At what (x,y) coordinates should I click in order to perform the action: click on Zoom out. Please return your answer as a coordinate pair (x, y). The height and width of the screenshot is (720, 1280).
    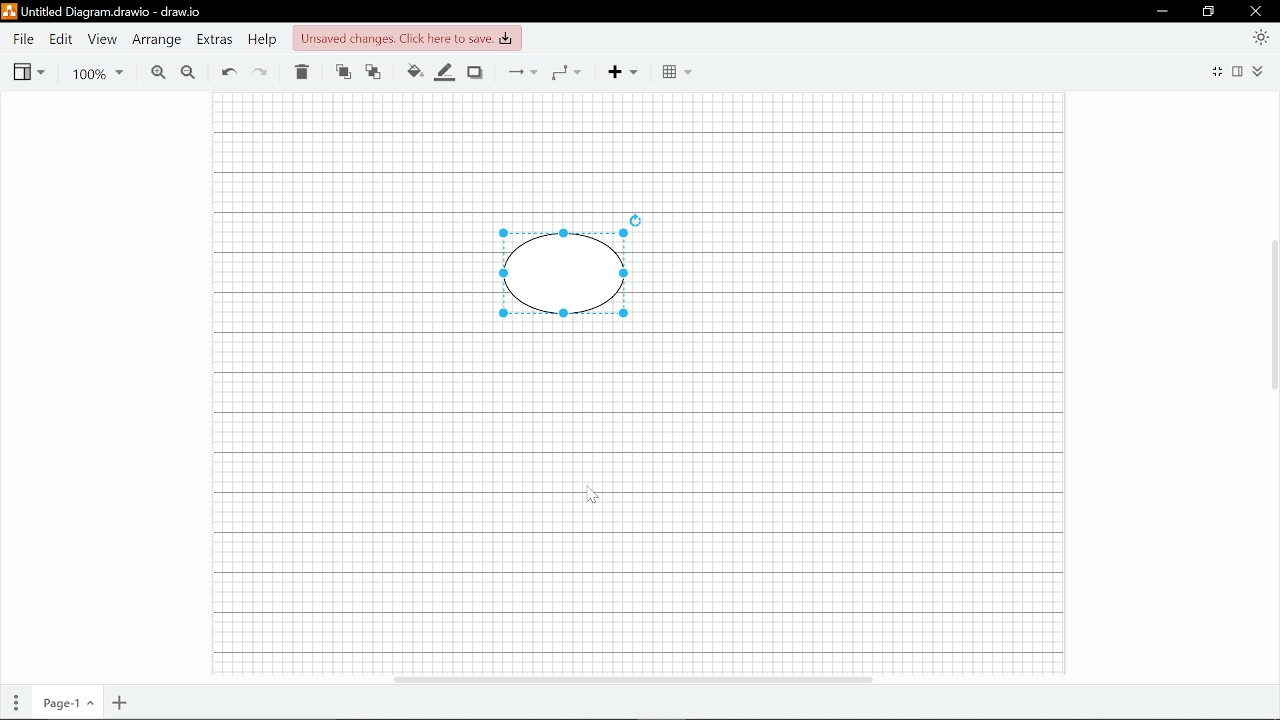
    Looking at the image, I should click on (188, 73).